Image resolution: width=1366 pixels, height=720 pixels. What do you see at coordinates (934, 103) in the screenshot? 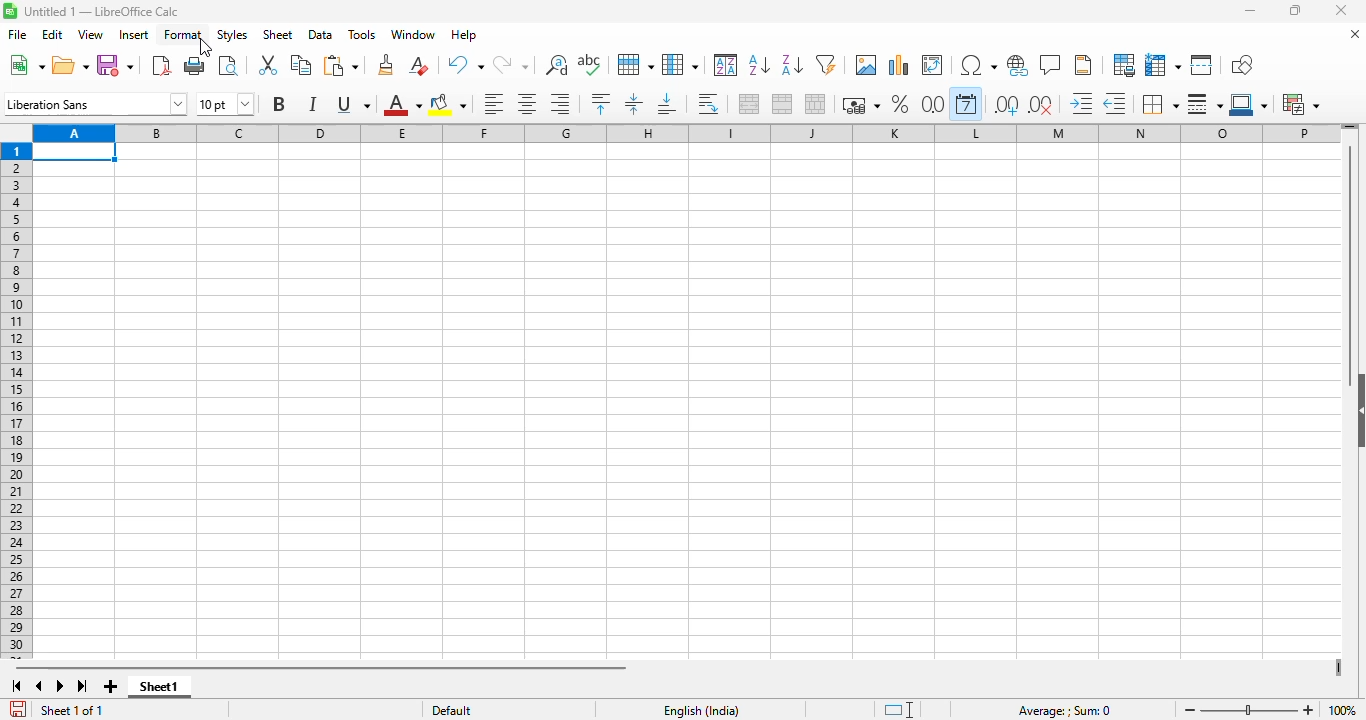
I see `format as number` at bounding box center [934, 103].